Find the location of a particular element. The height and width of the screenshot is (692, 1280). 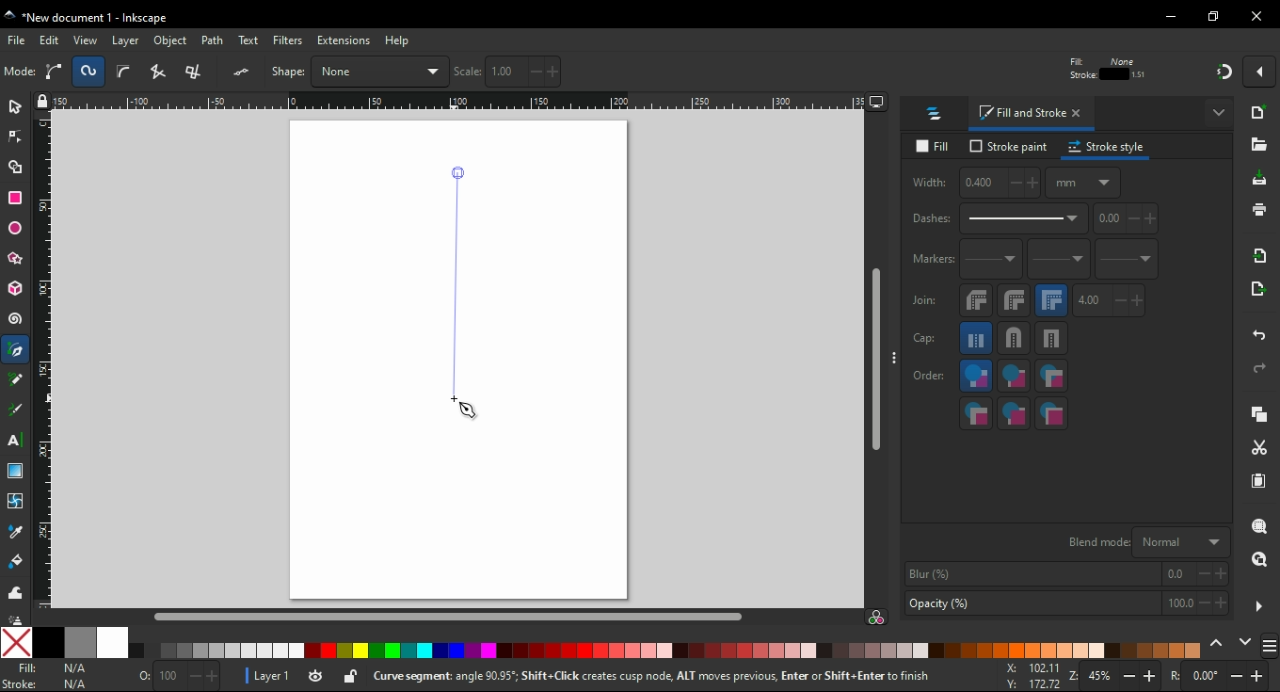

object flip  vertical is located at coordinates (286, 71).